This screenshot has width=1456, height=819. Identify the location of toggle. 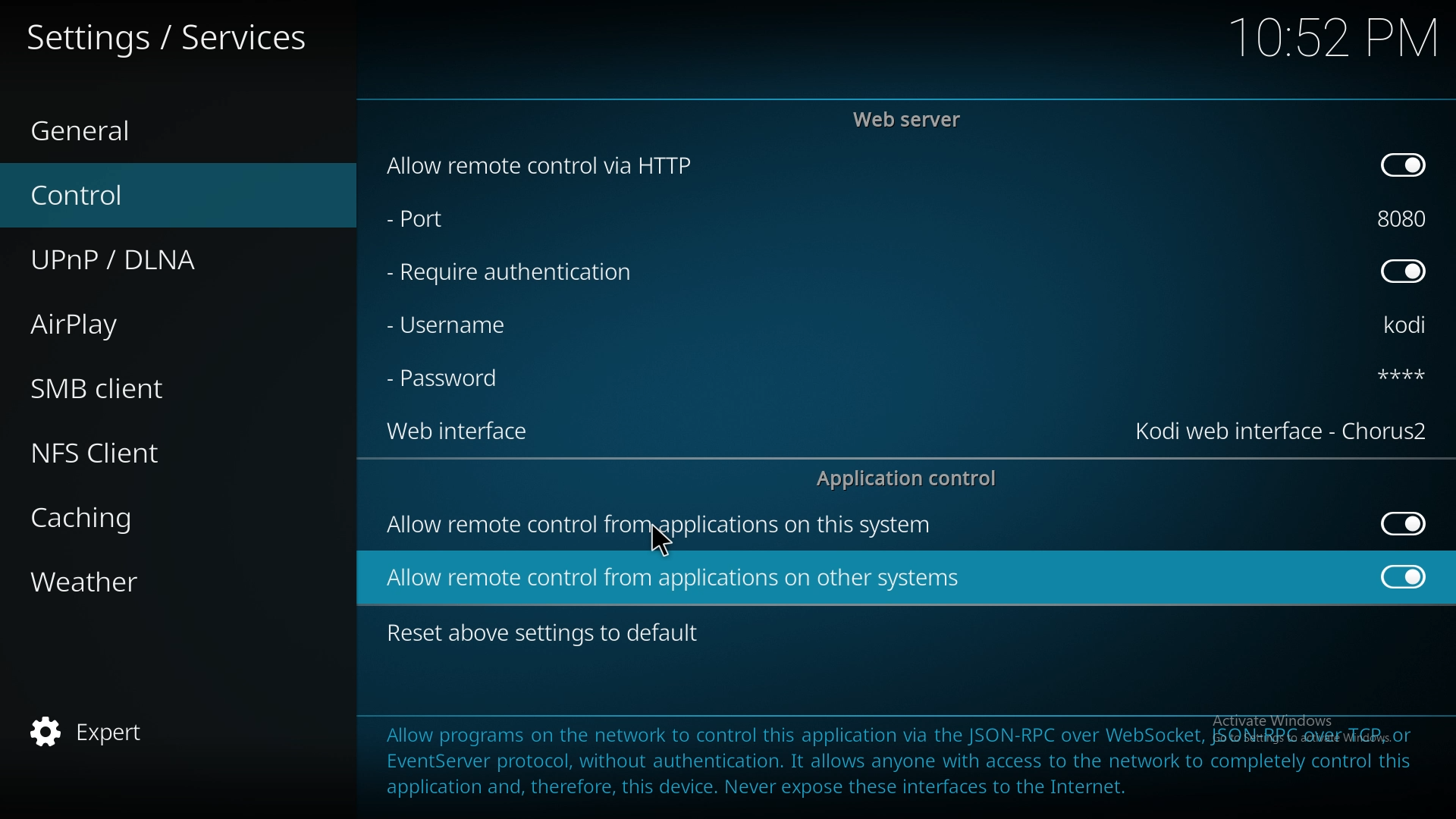
(1406, 576).